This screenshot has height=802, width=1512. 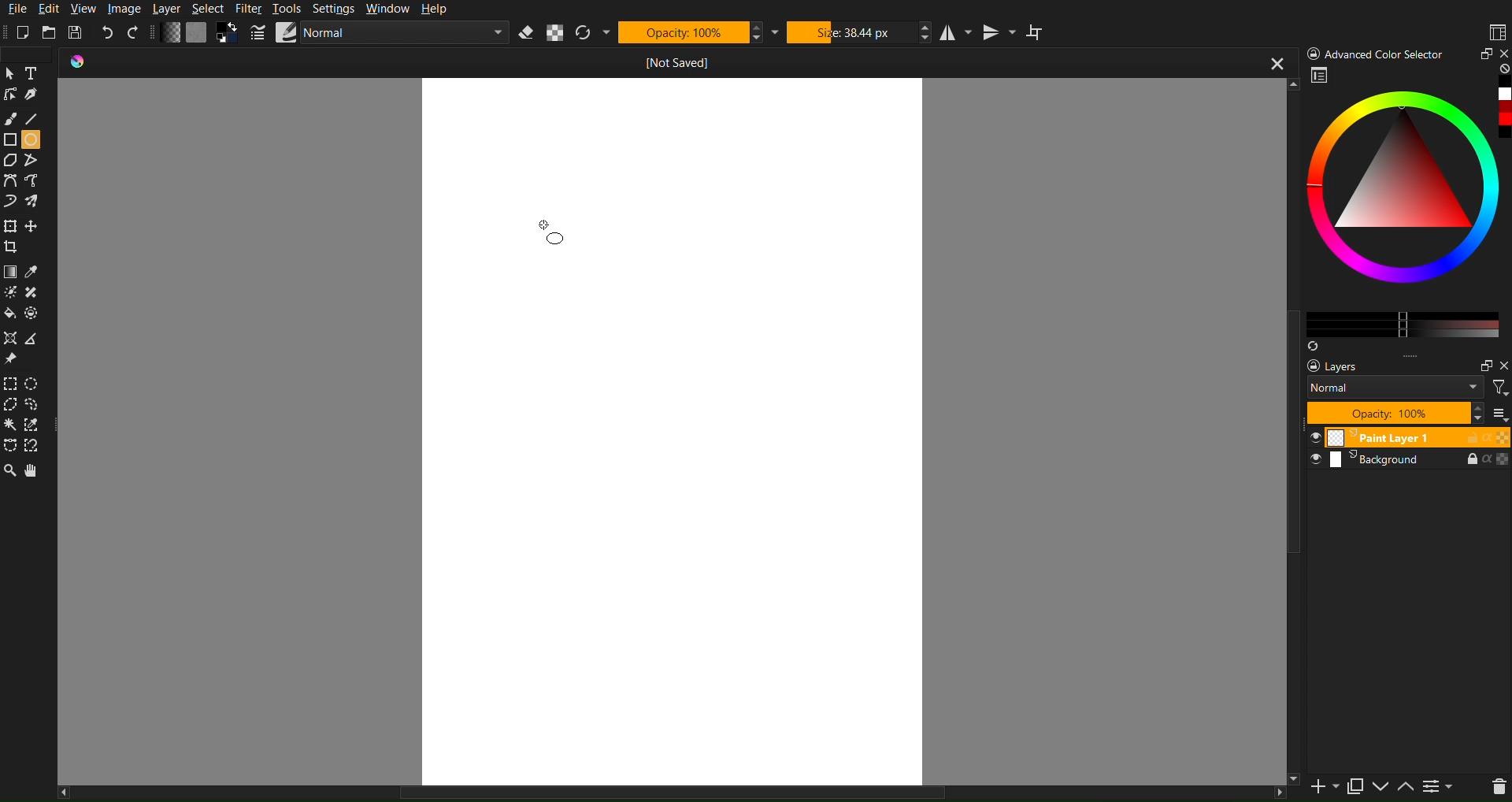 What do you see at coordinates (1396, 412) in the screenshot?
I see `Opacity 100%` at bounding box center [1396, 412].